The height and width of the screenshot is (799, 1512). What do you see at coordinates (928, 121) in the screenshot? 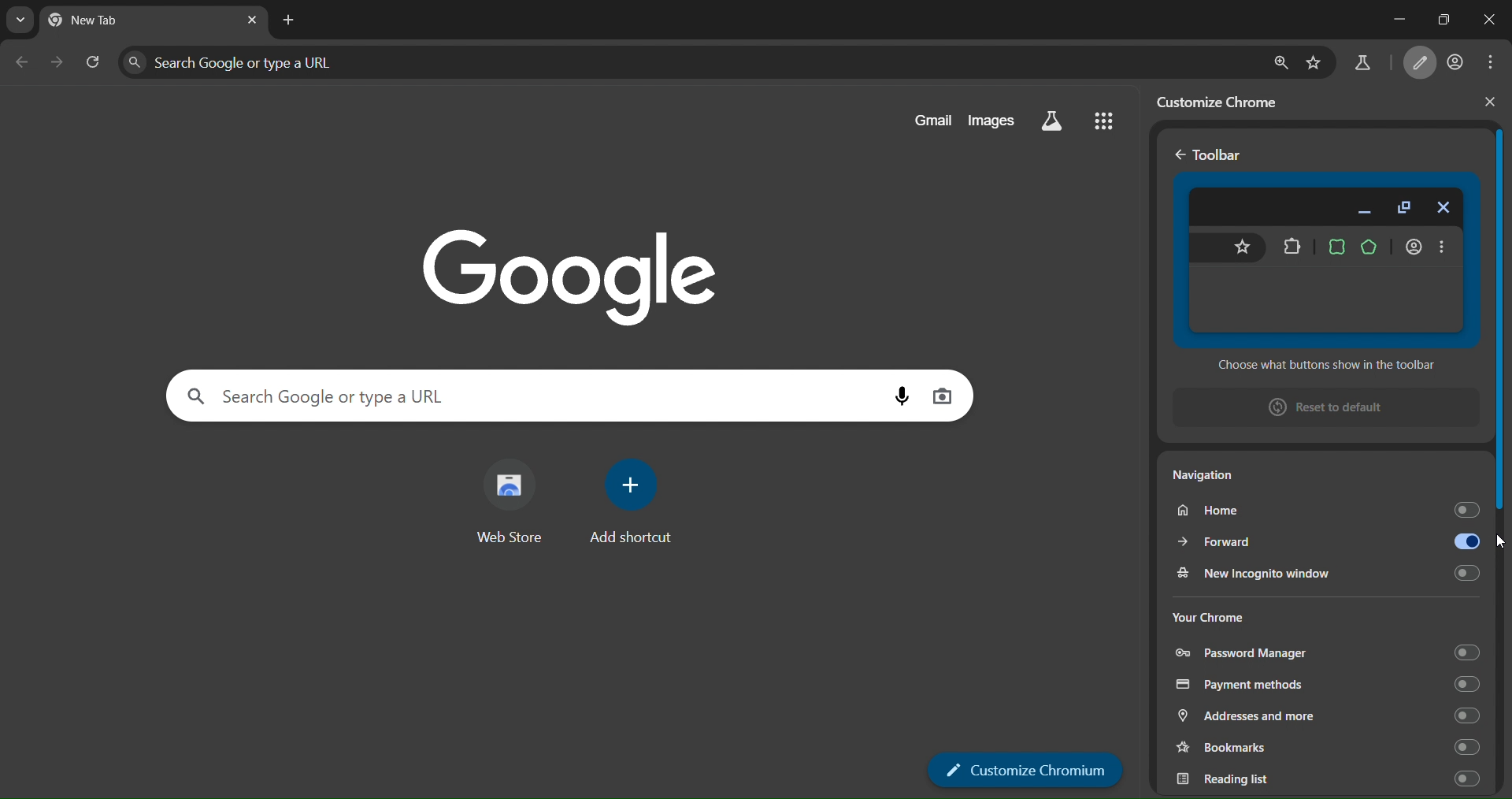
I see `gmail` at bounding box center [928, 121].